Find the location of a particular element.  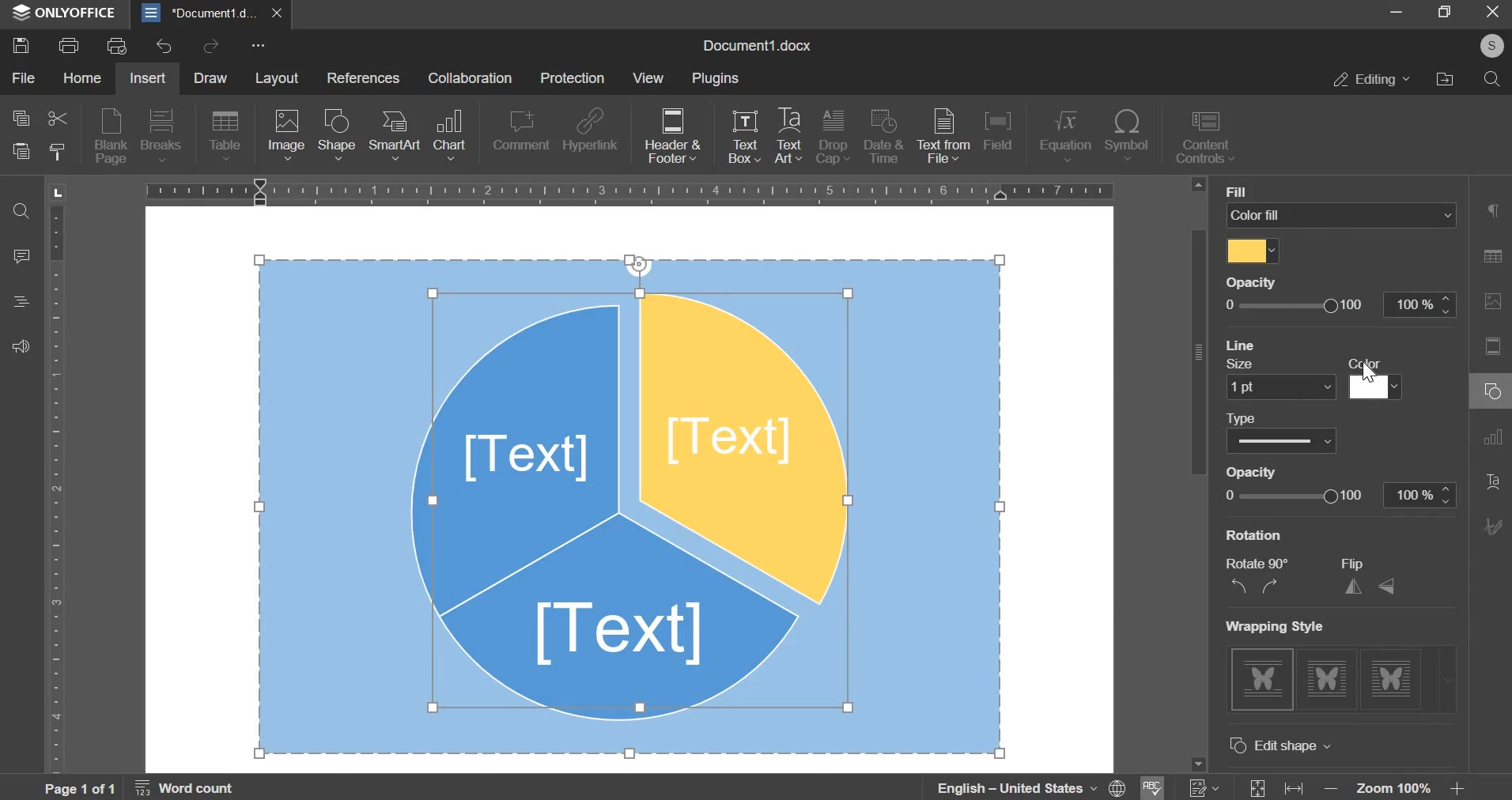

document1 is located at coordinates (214, 12).